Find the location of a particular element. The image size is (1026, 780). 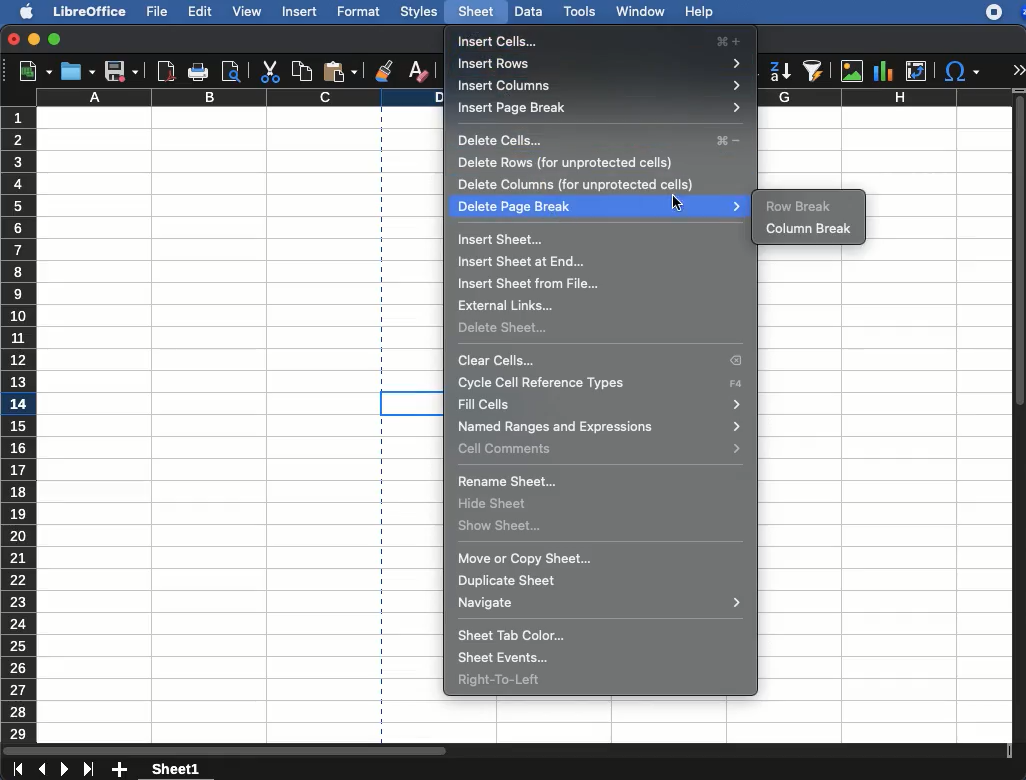

page break is located at coordinates (381, 244).